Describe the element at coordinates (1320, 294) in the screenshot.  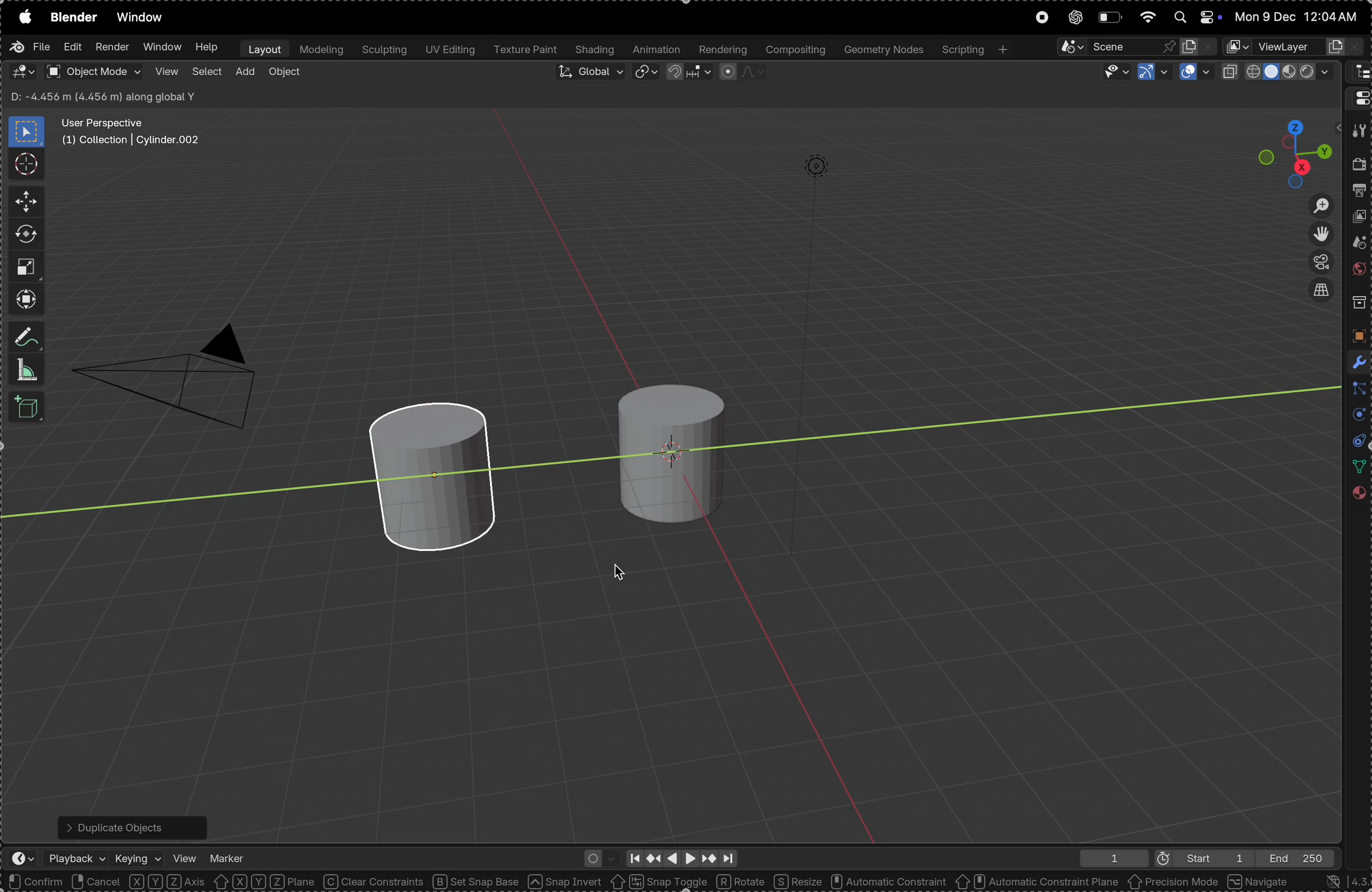
I see `select current views` at that location.